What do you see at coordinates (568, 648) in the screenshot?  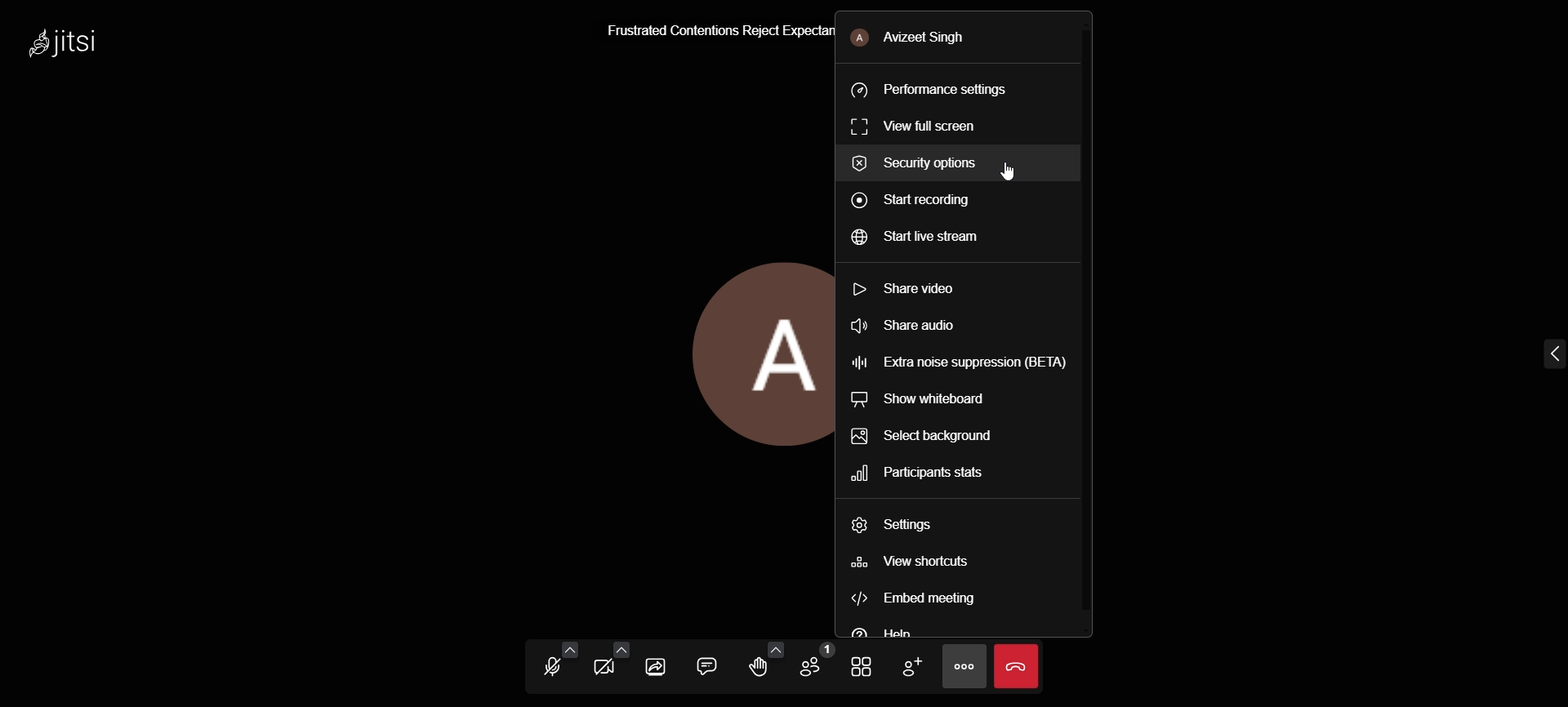 I see `audio setting` at bounding box center [568, 648].